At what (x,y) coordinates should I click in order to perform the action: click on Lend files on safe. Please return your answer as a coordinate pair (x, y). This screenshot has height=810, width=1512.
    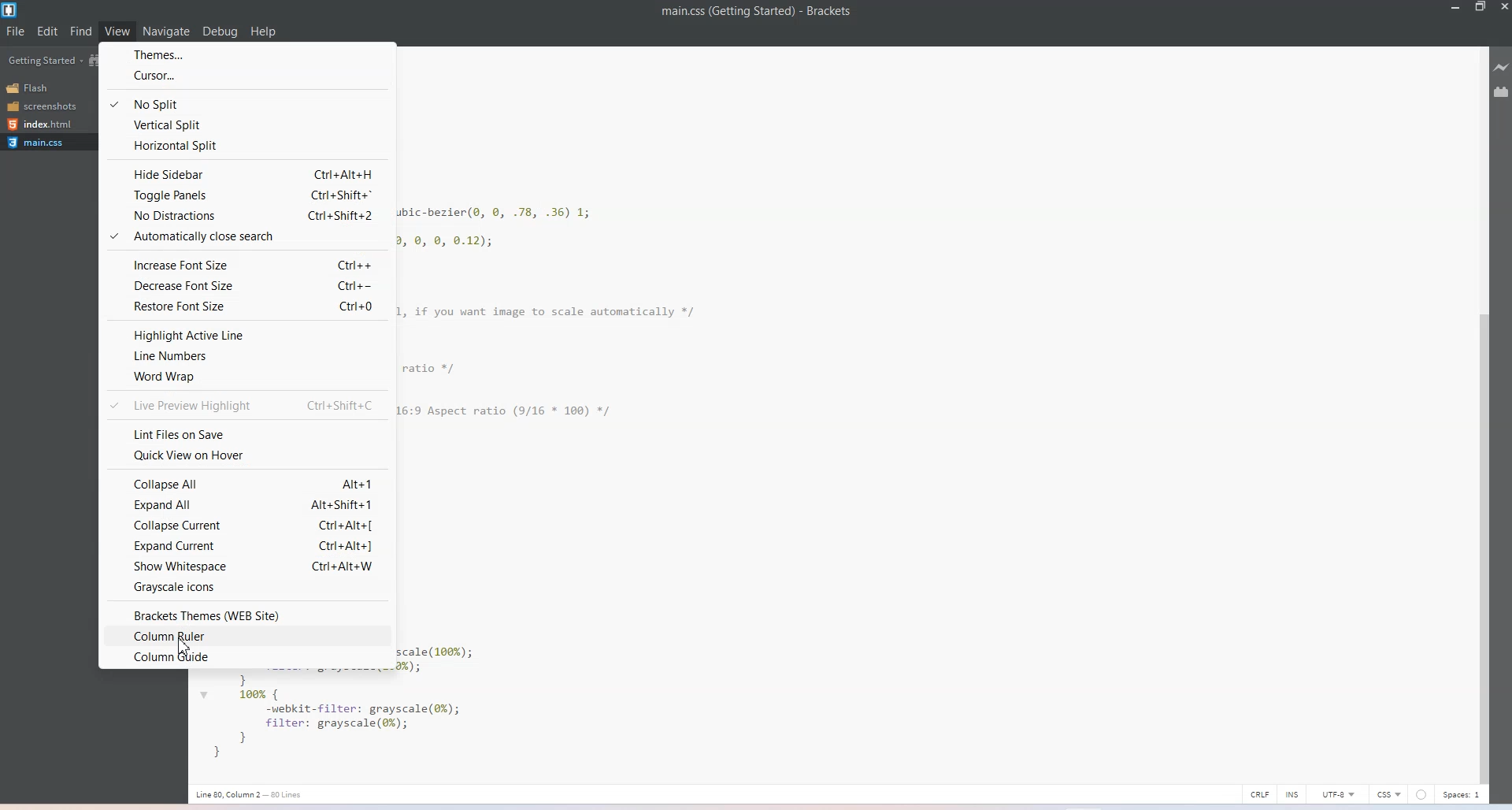
    Looking at the image, I should click on (248, 433).